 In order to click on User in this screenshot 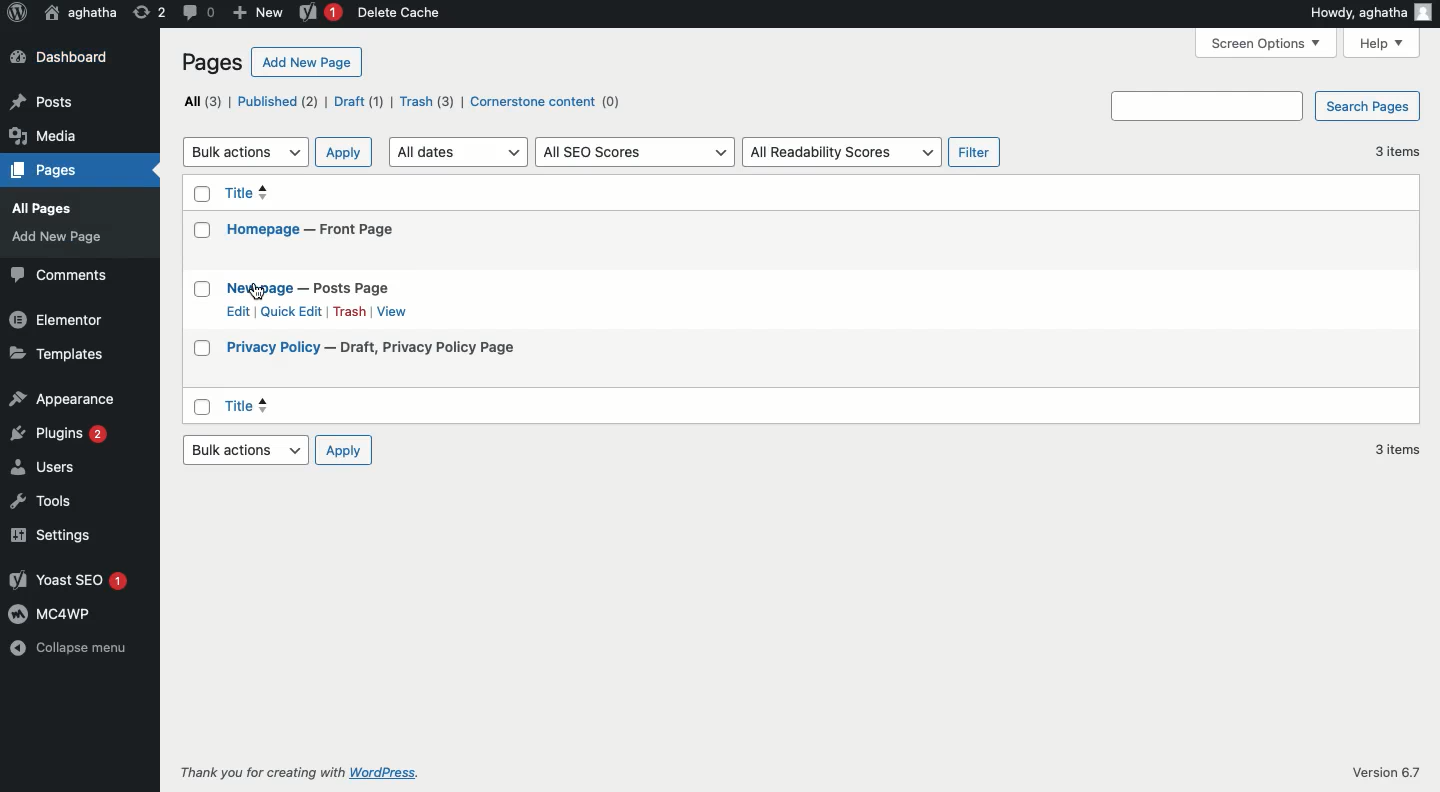, I will do `click(80, 13)`.